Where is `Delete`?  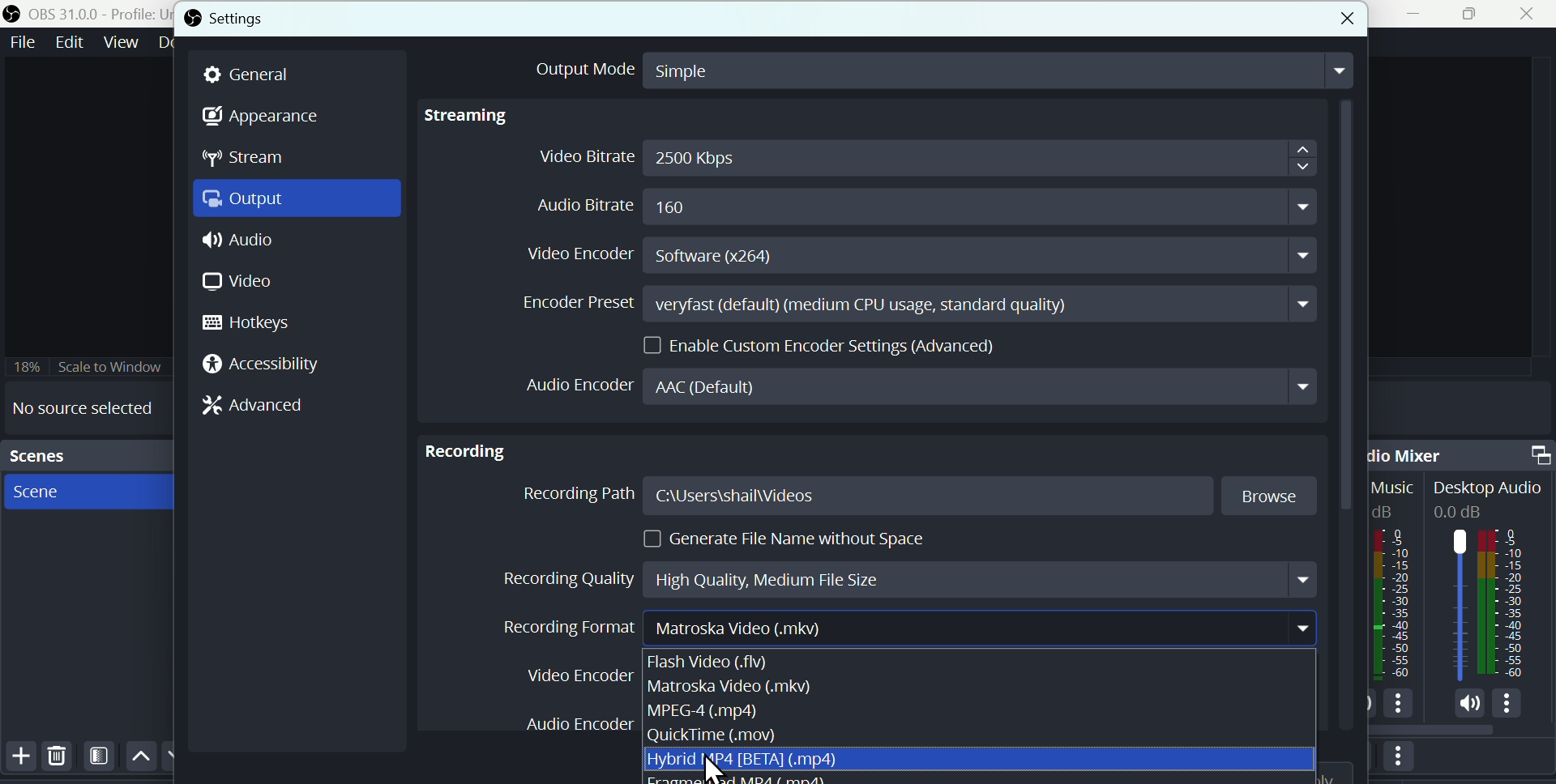
Delete is located at coordinates (64, 762).